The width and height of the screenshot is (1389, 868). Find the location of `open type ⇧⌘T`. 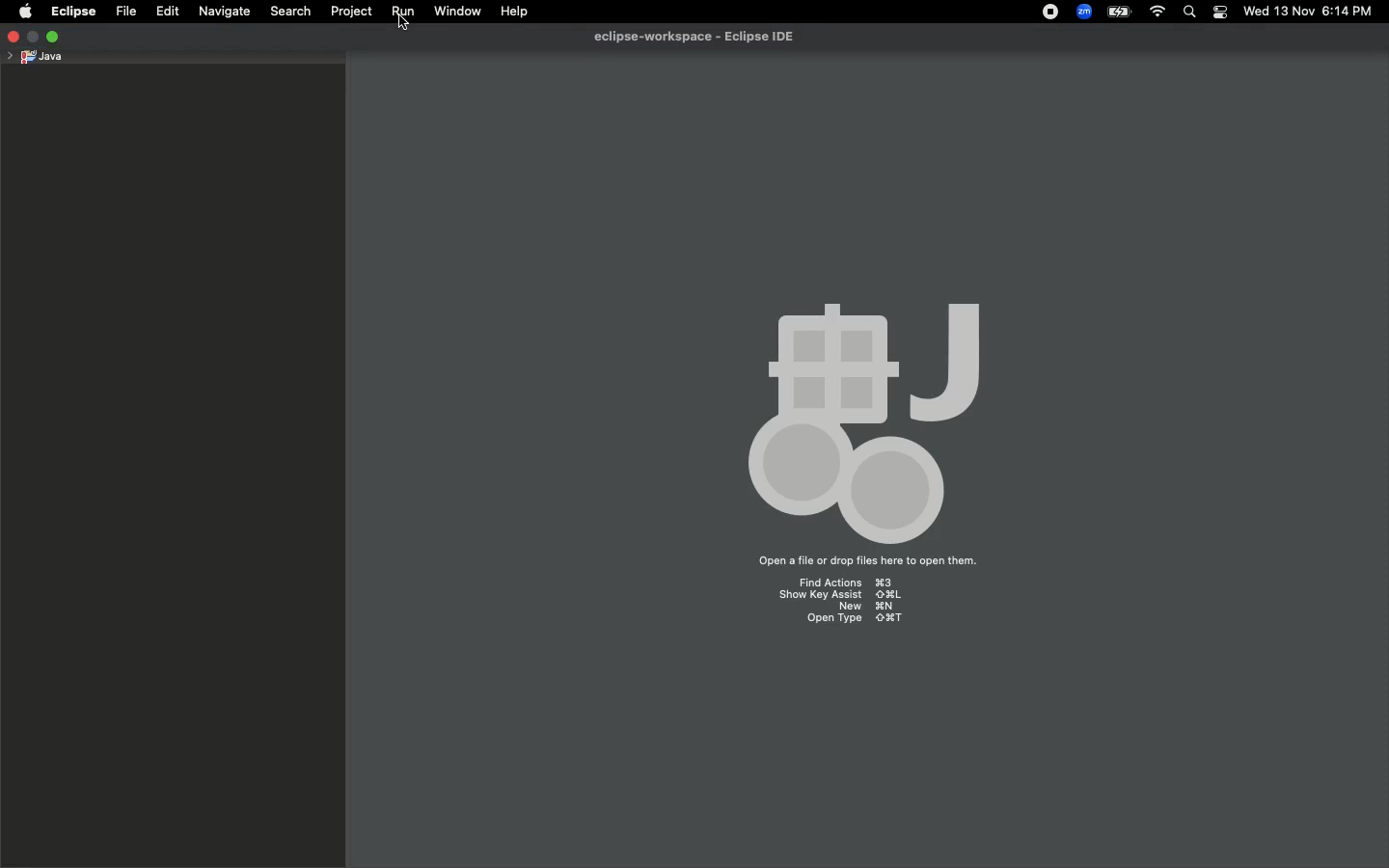

open type ⇧⌘T is located at coordinates (851, 618).